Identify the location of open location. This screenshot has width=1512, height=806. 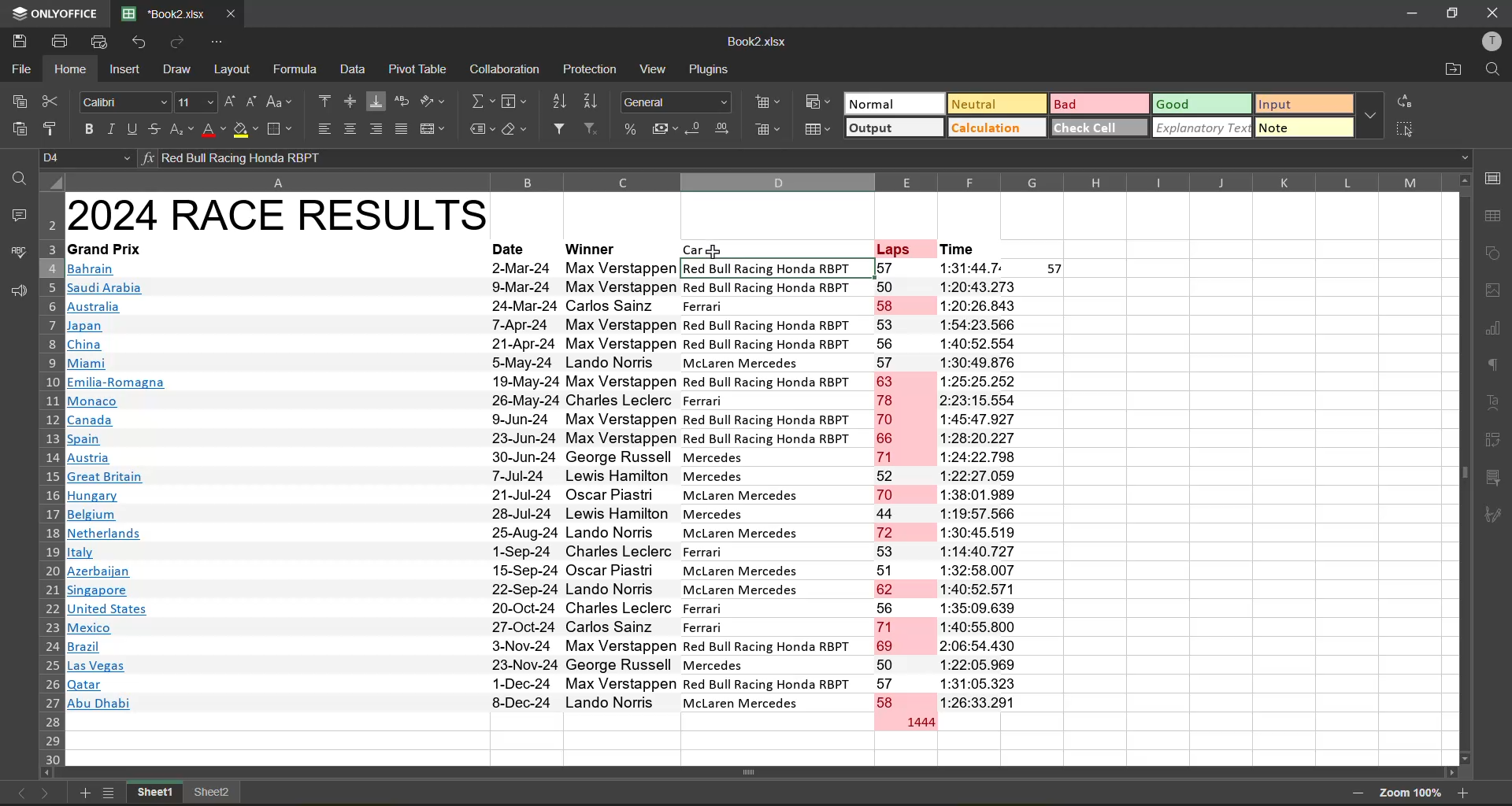
(1454, 72).